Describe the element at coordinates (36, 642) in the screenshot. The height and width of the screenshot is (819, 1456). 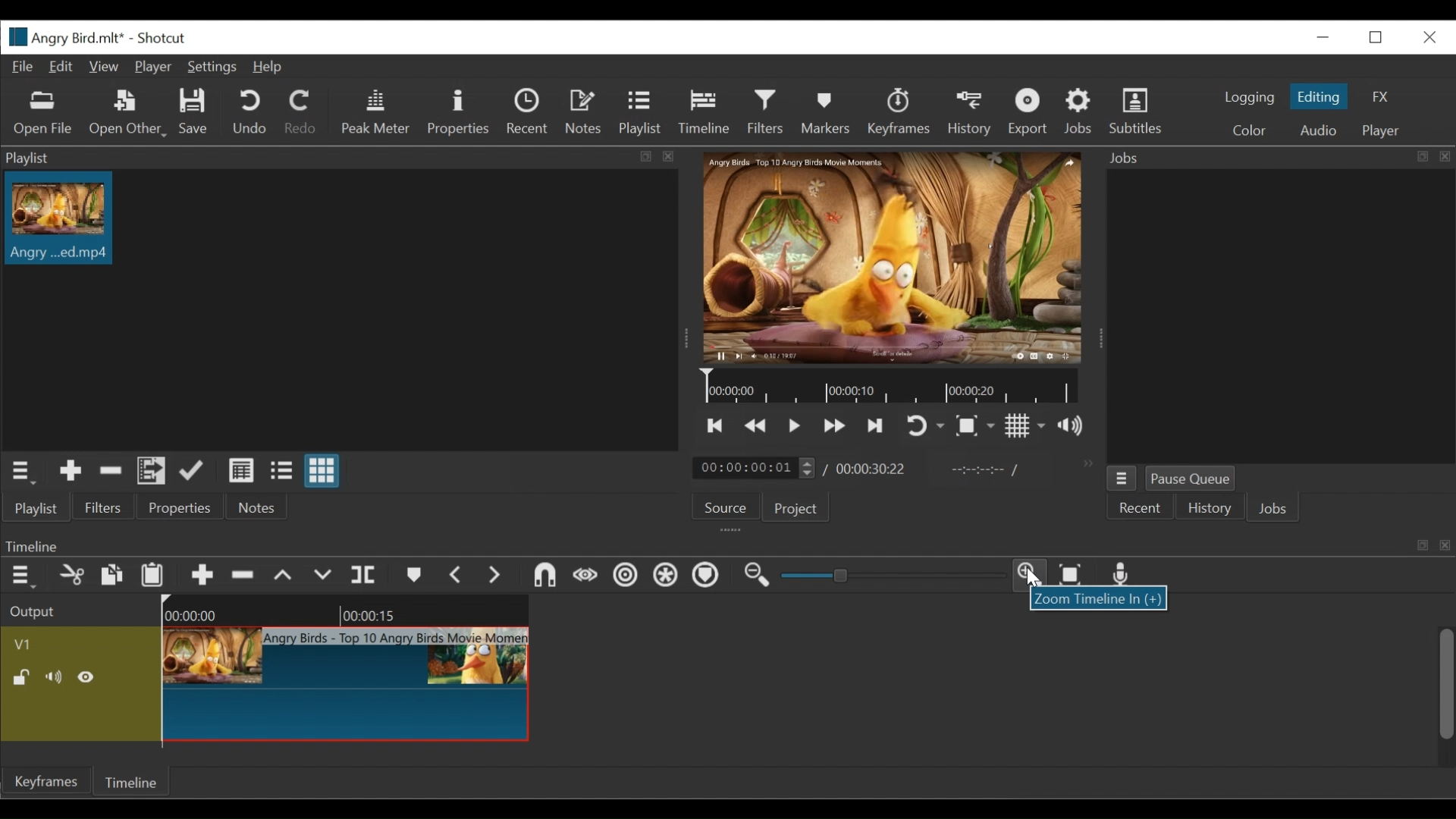
I see `Video track Name` at that location.